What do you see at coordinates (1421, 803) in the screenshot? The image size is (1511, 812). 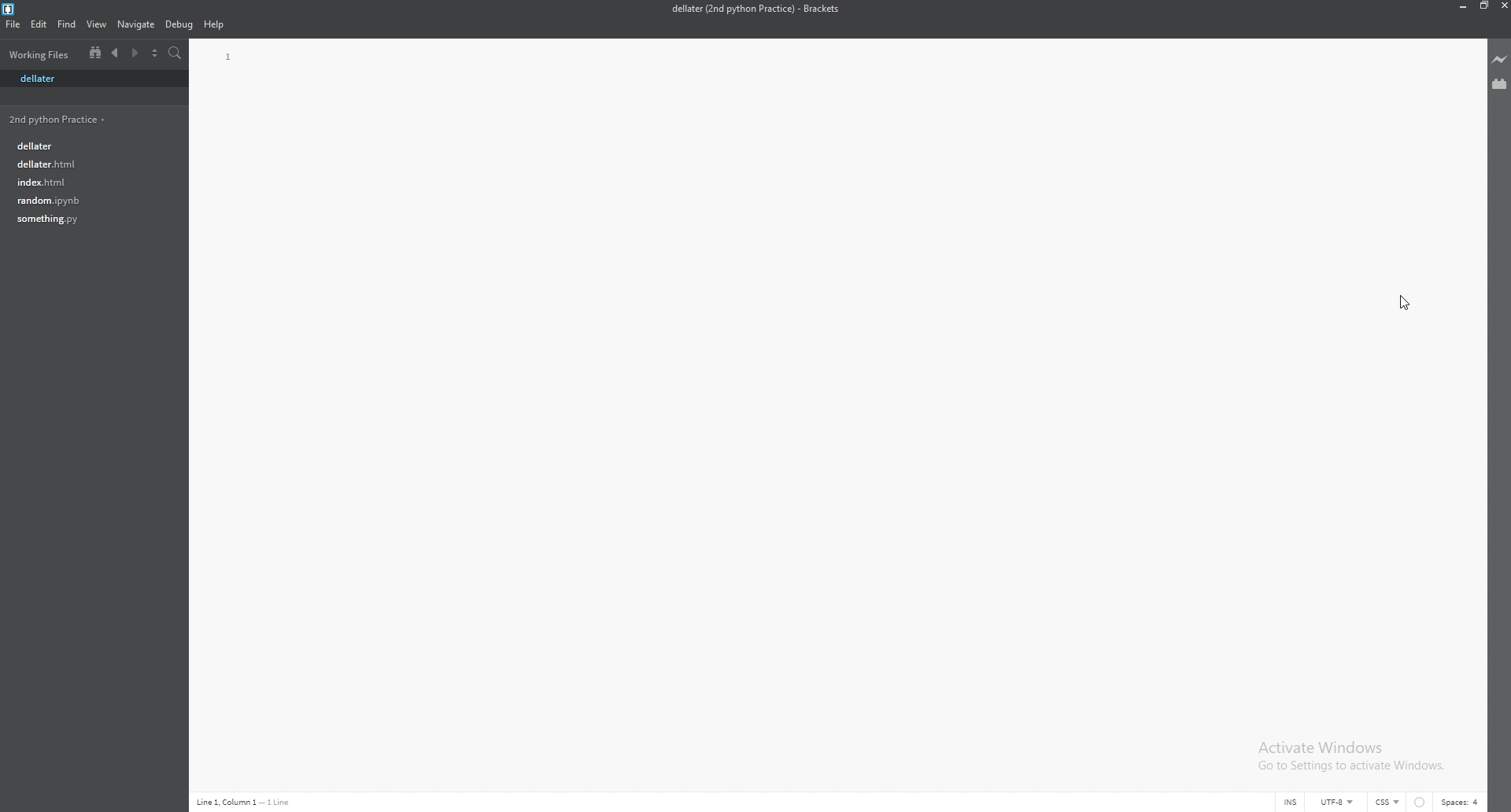 I see `linter` at bounding box center [1421, 803].